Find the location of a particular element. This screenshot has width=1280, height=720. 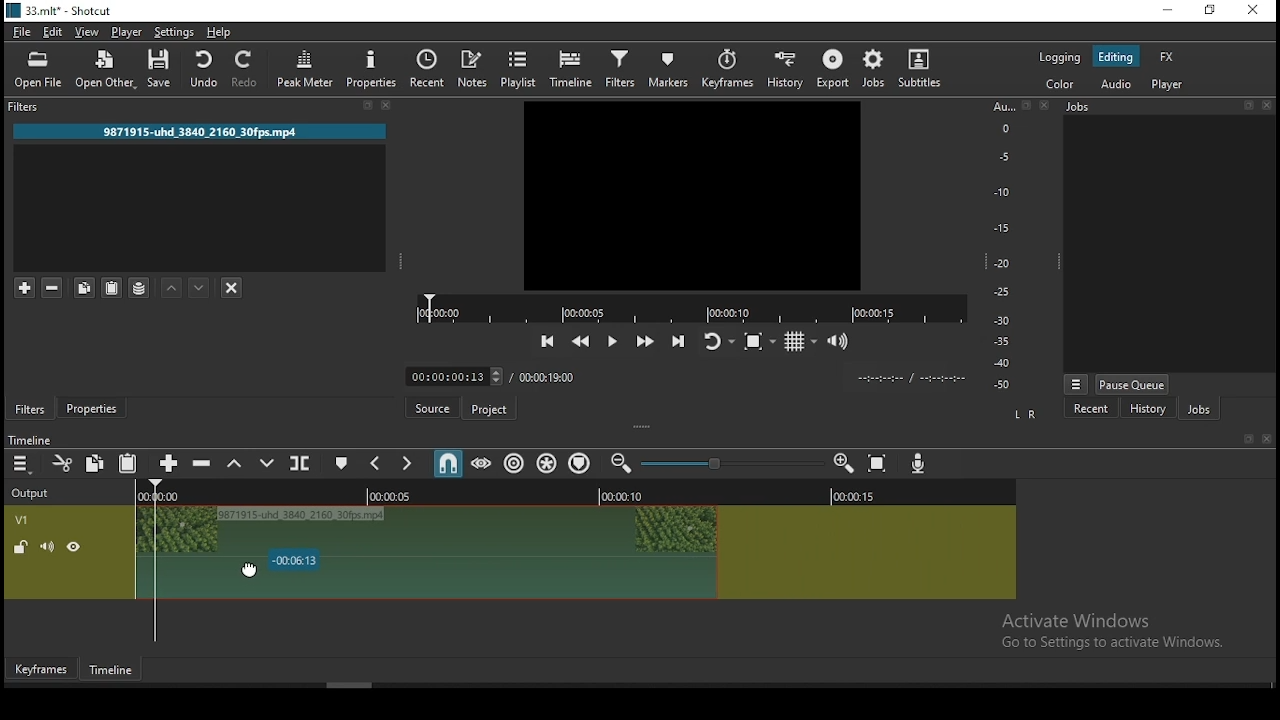

zoom in or zoom out slider is located at coordinates (727, 464).